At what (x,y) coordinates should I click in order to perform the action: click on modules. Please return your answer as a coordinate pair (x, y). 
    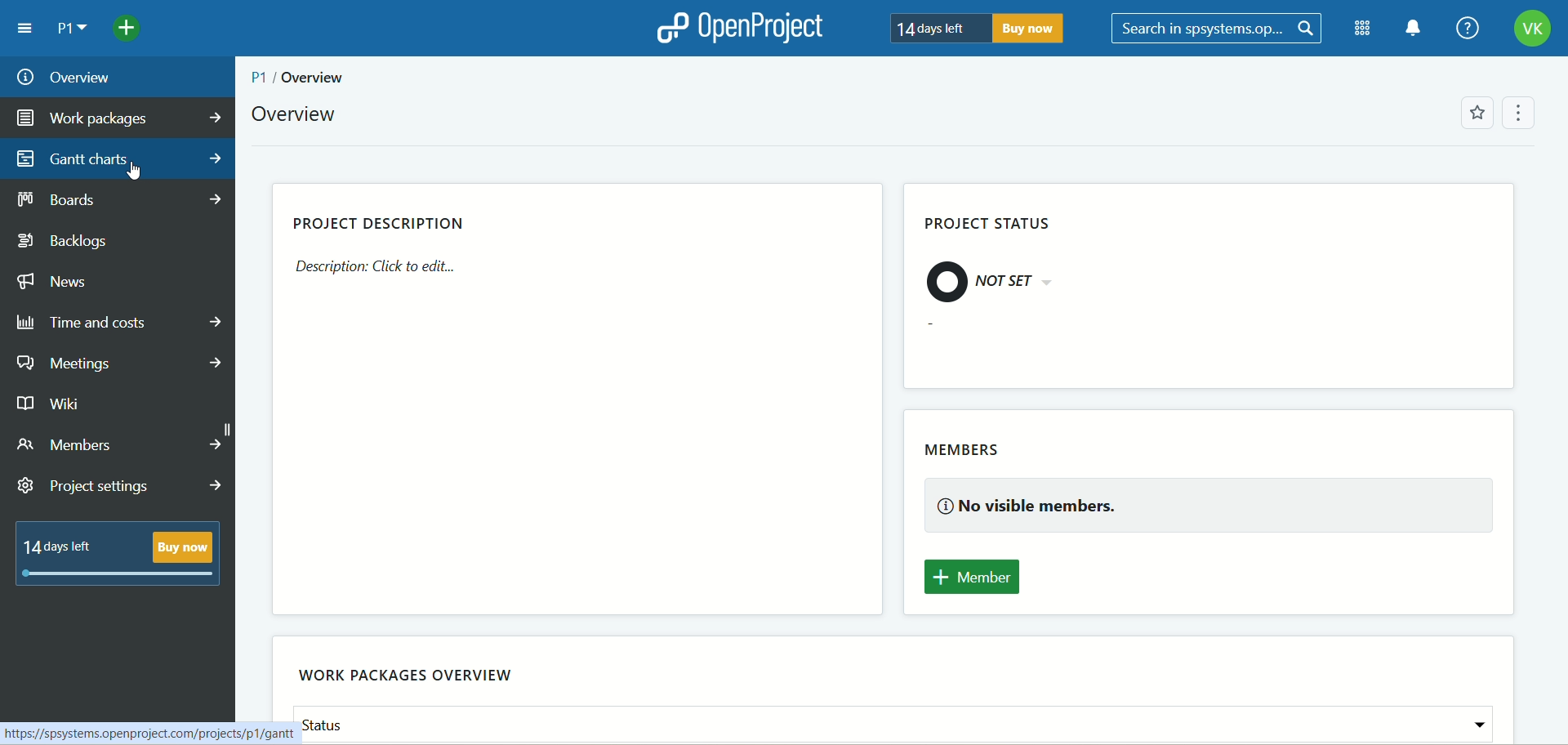
    Looking at the image, I should click on (1358, 29).